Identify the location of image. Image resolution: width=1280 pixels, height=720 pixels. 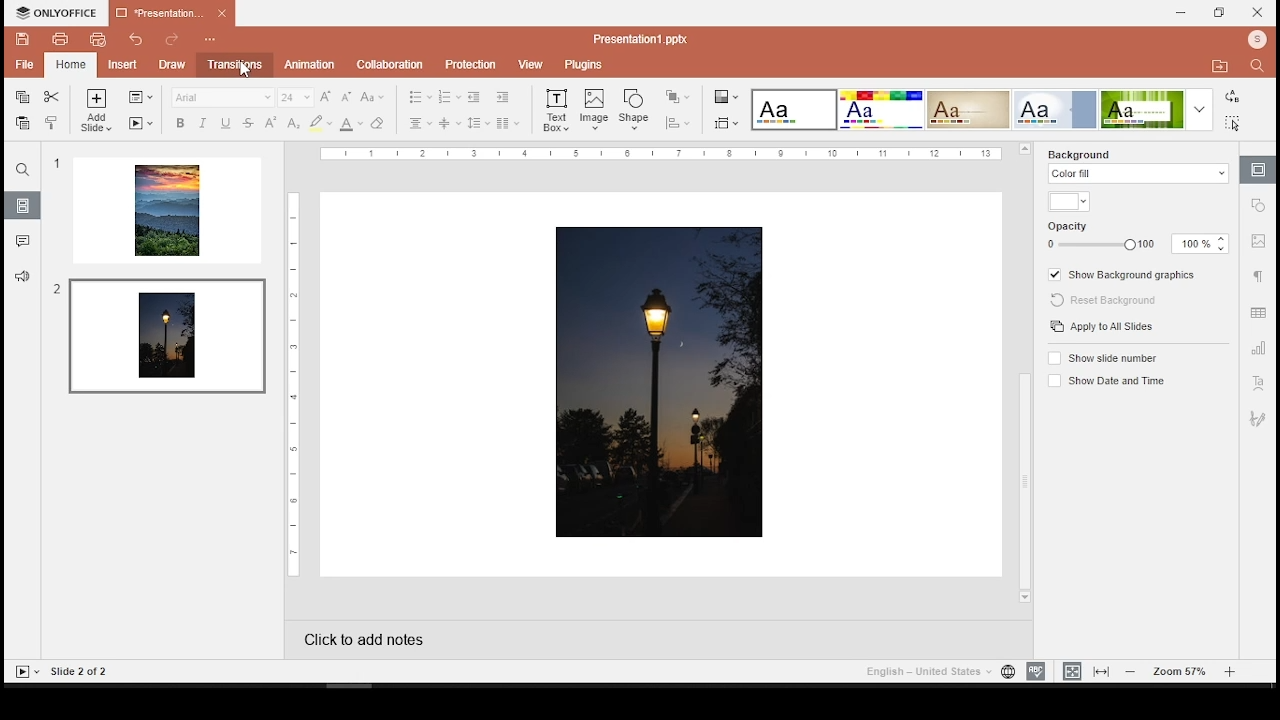
(594, 110).